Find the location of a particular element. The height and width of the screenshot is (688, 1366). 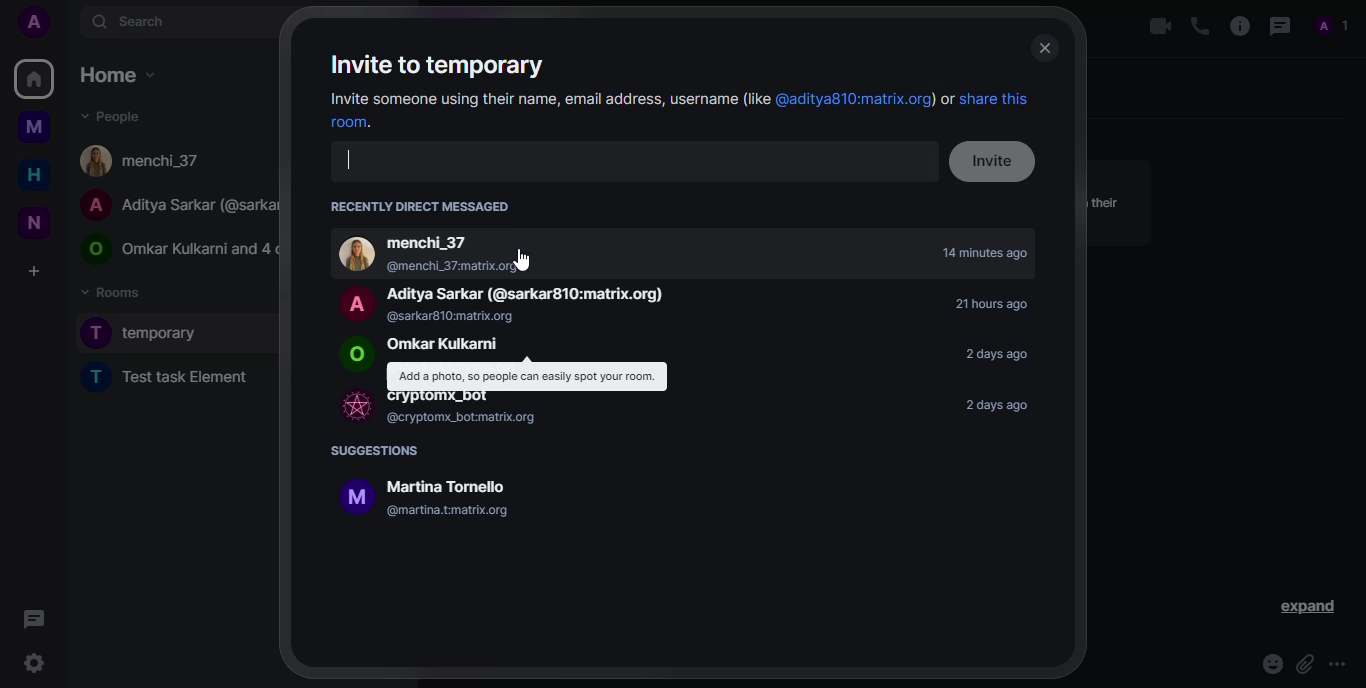

info is located at coordinates (686, 437).